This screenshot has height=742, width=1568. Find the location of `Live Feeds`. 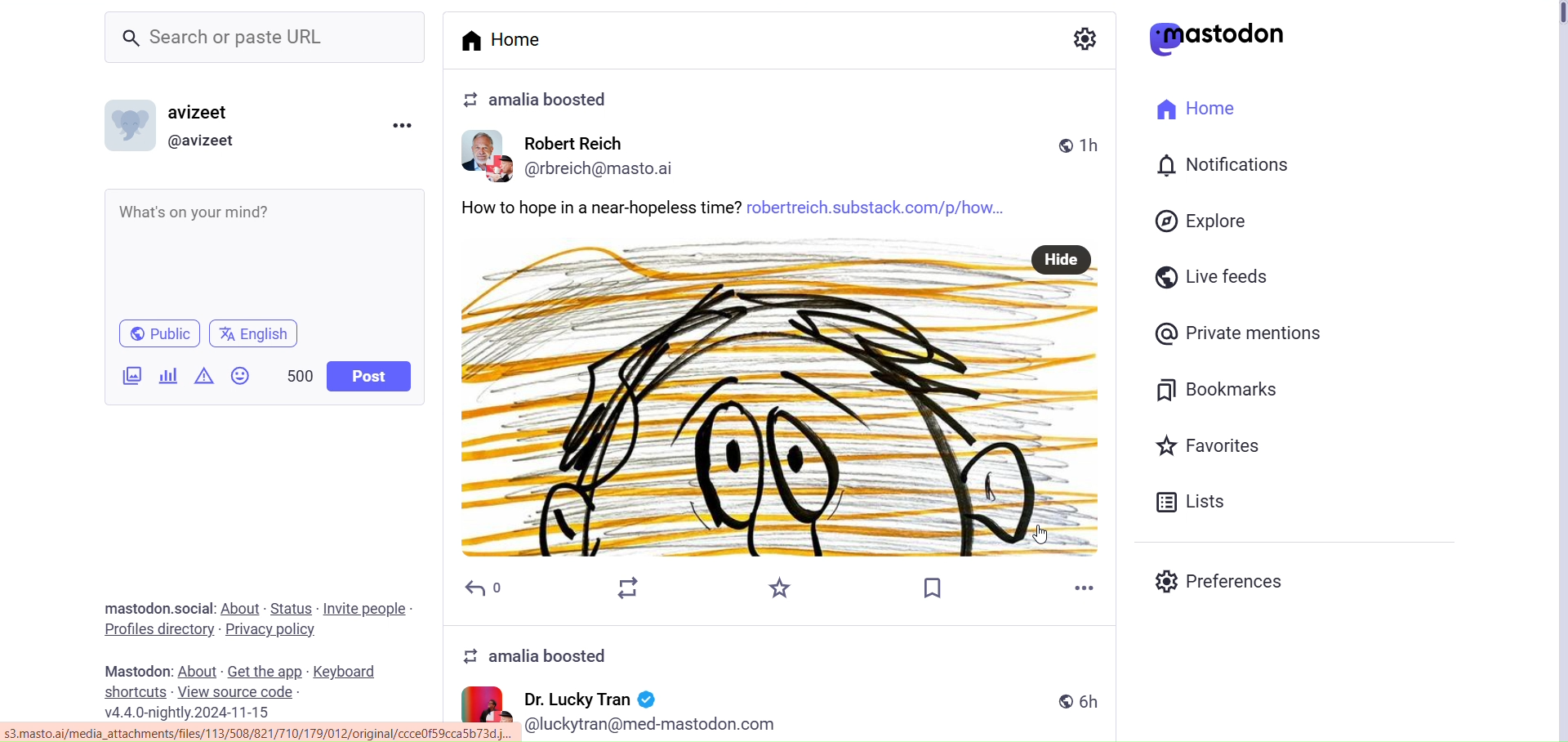

Live Feeds is located at coordinates (1214, 275).